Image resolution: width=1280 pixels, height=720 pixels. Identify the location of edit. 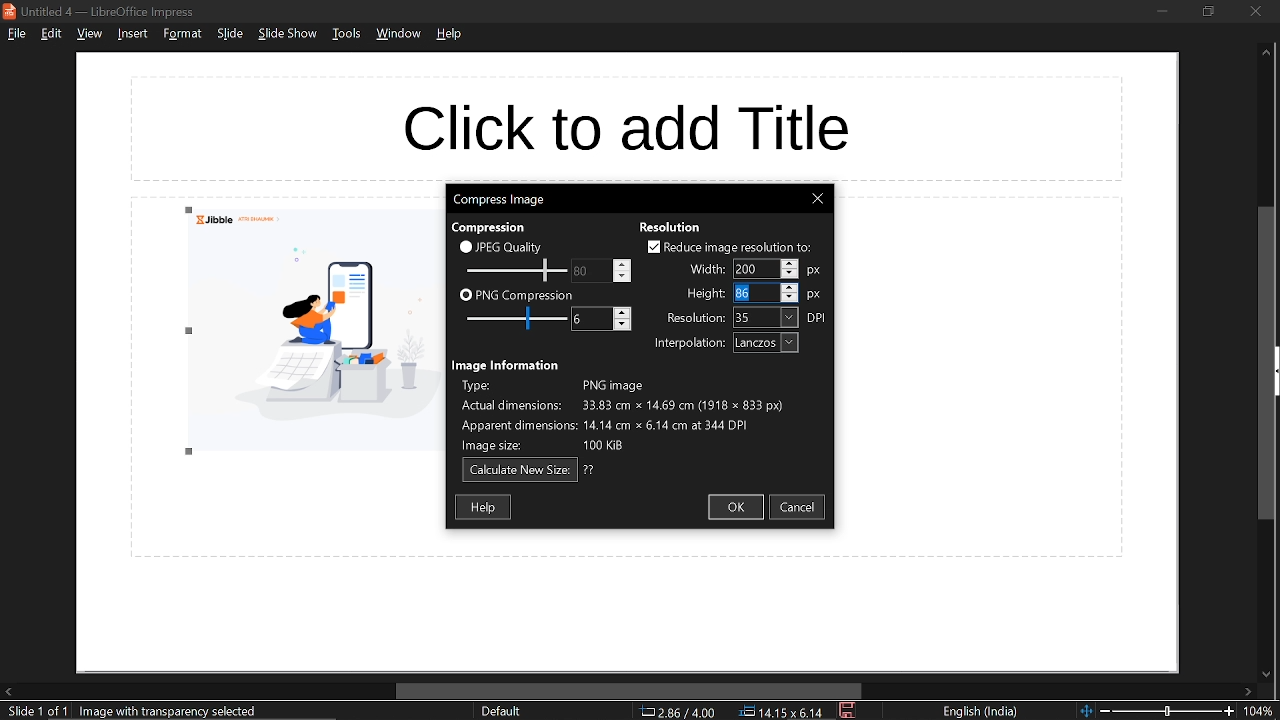
(53, 33).